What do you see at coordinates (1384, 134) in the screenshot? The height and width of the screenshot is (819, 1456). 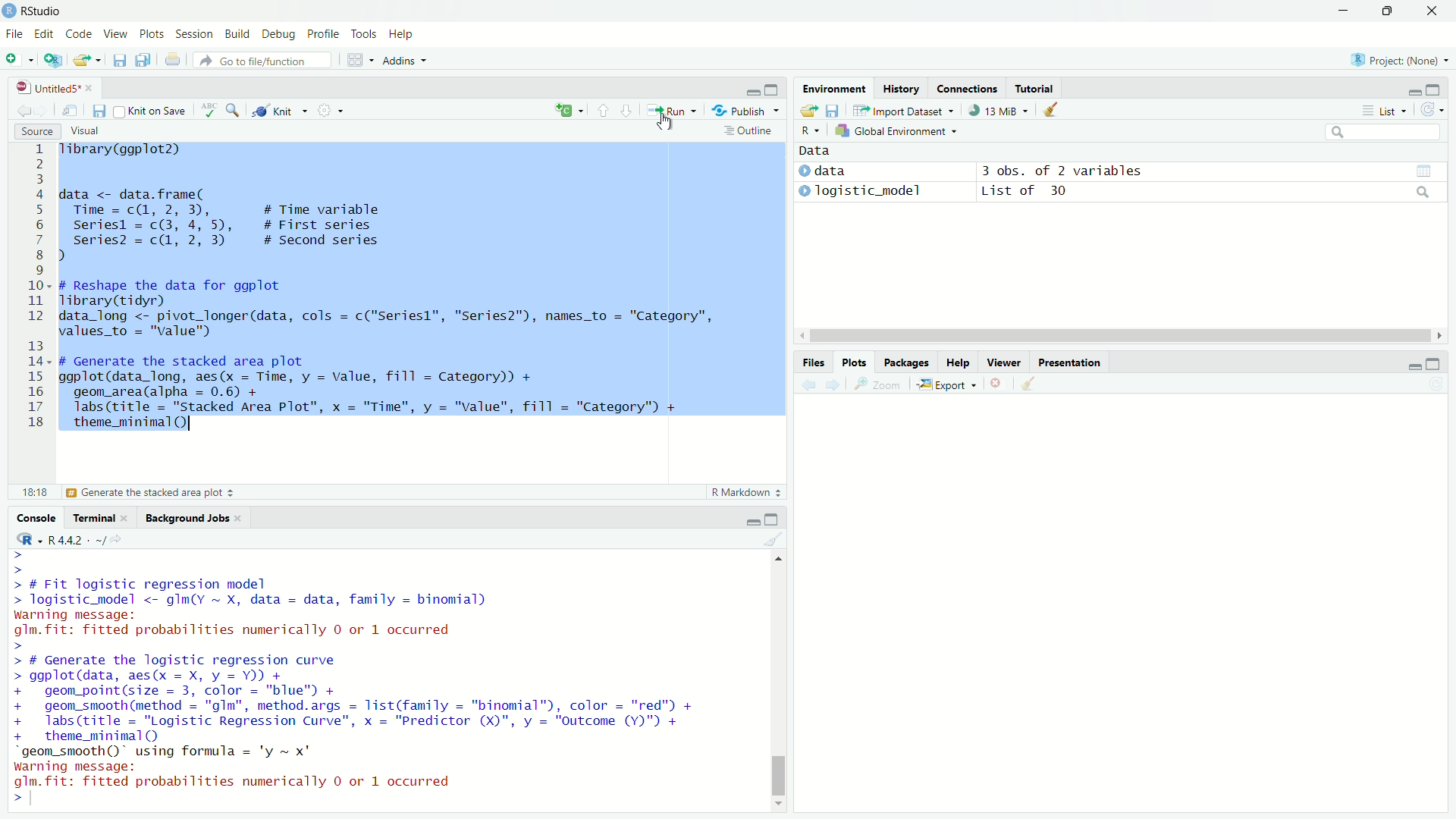 I see `search` at bounding box center [1384, 134].